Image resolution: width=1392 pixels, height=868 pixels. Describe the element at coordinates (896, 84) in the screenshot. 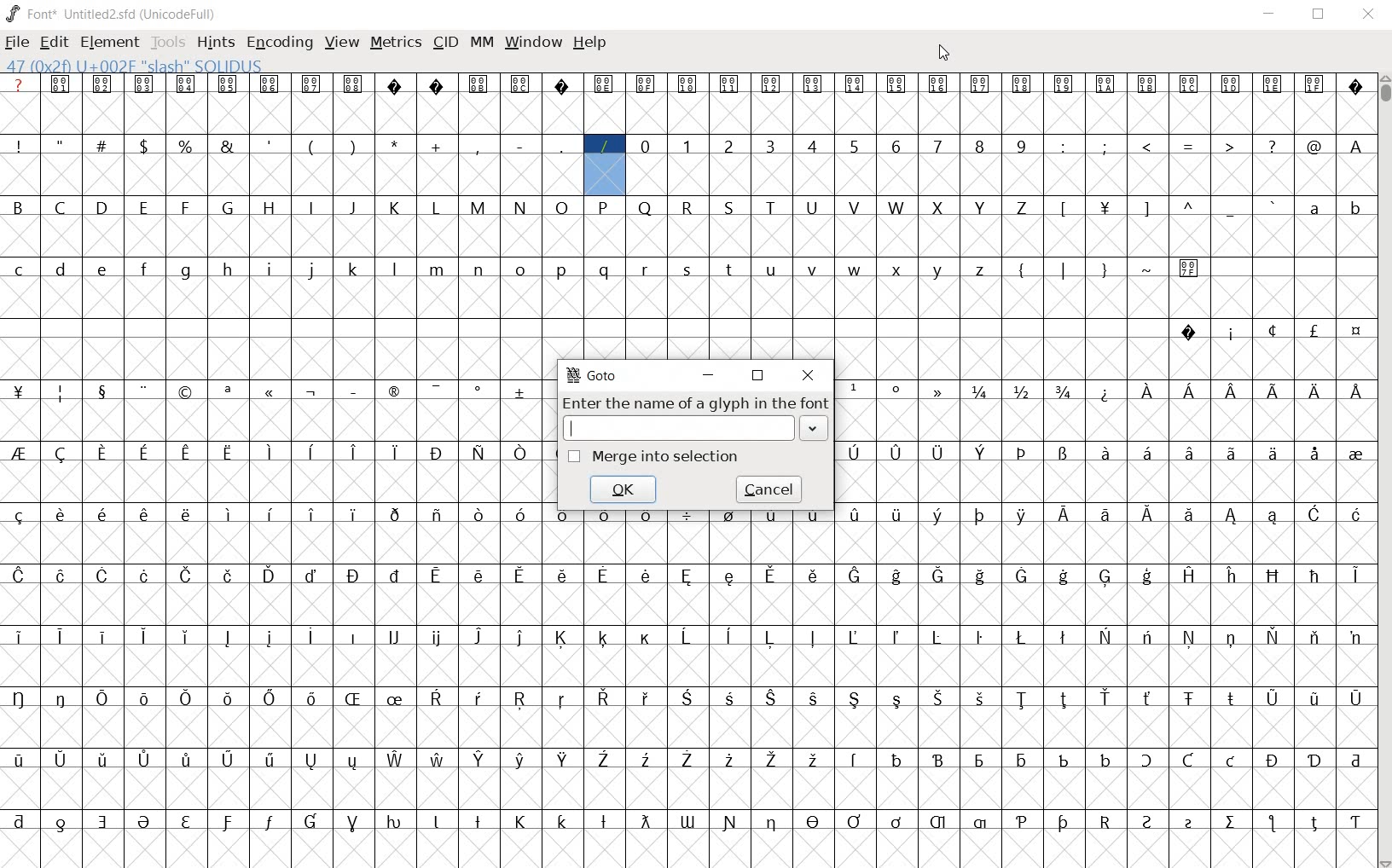

I see `glyph` at that location.